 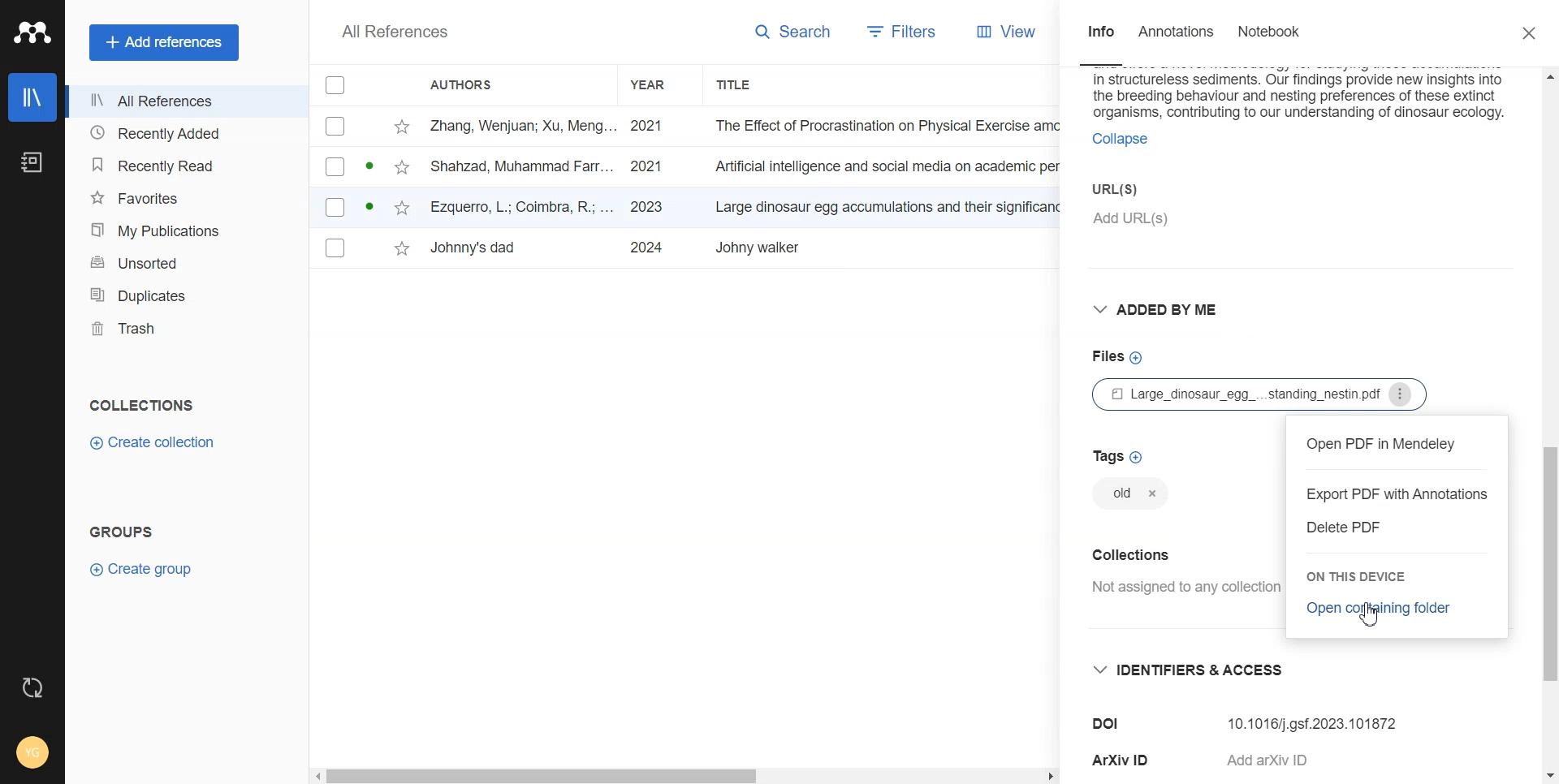 I want to click on Account, so click(x=32, y=753).